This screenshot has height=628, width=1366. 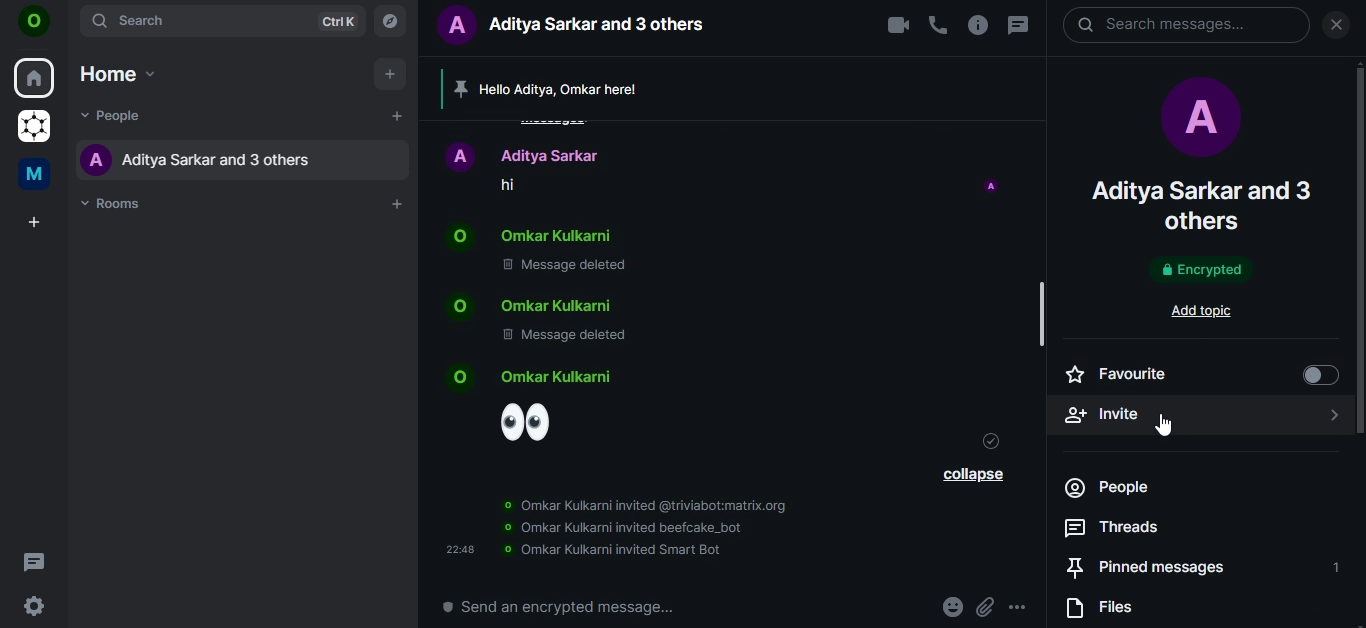 I want to click on profile picture, so click(x=1197, y=121).